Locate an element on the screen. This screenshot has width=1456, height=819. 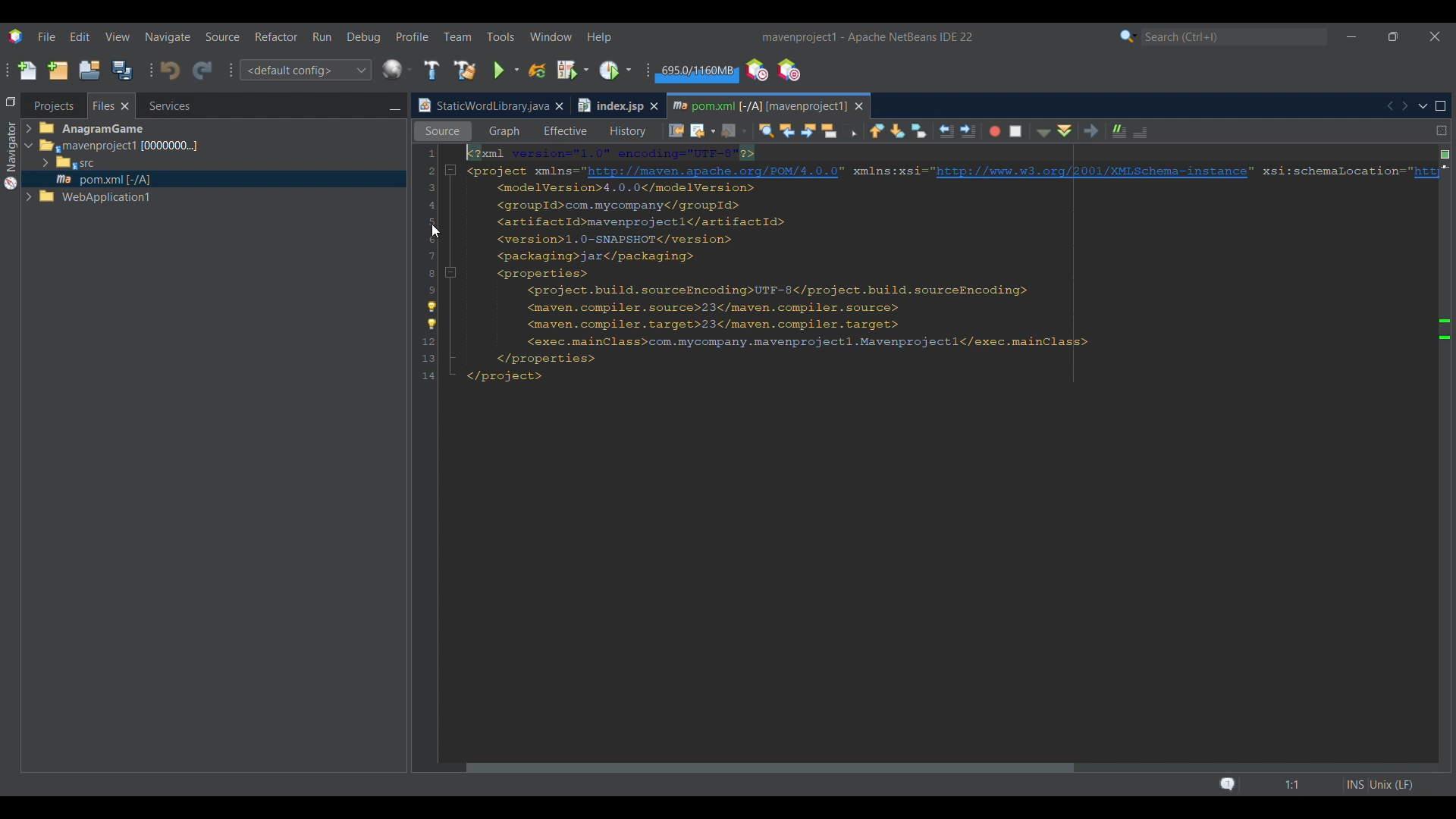
Debug main project is located at coordinates (573, 70).